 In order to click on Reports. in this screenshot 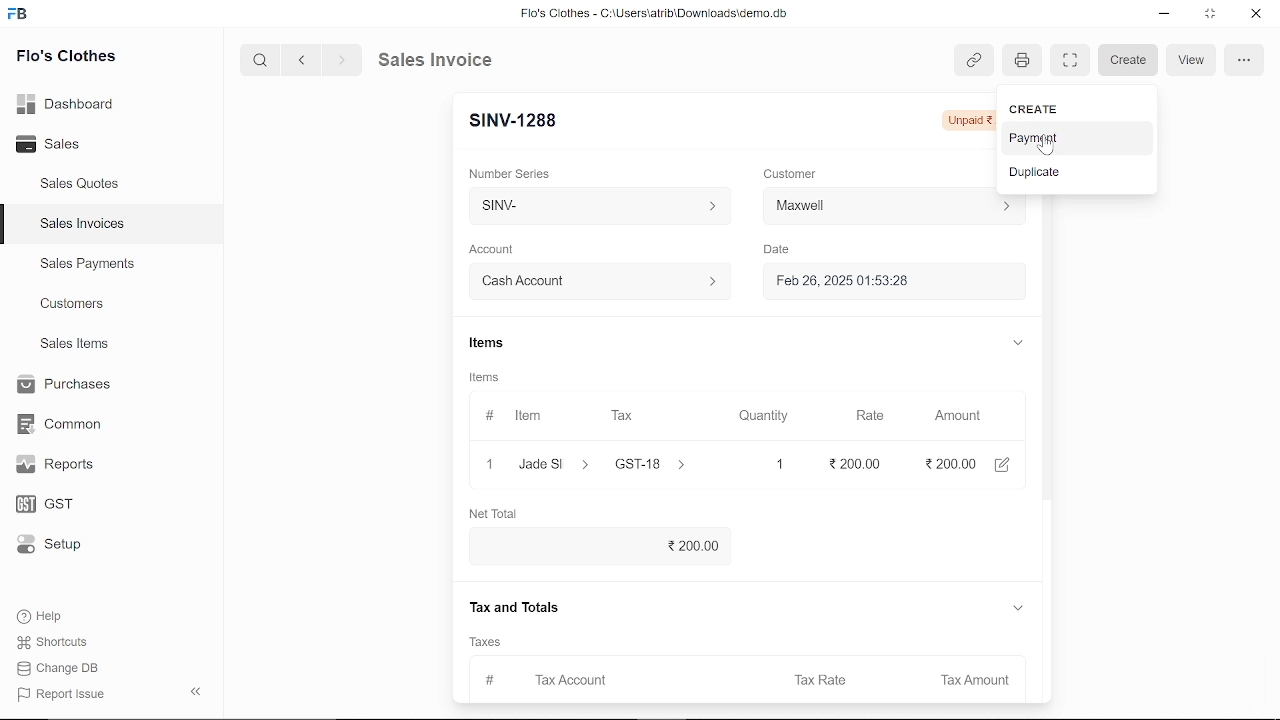, I will do `click(63, 464)`.